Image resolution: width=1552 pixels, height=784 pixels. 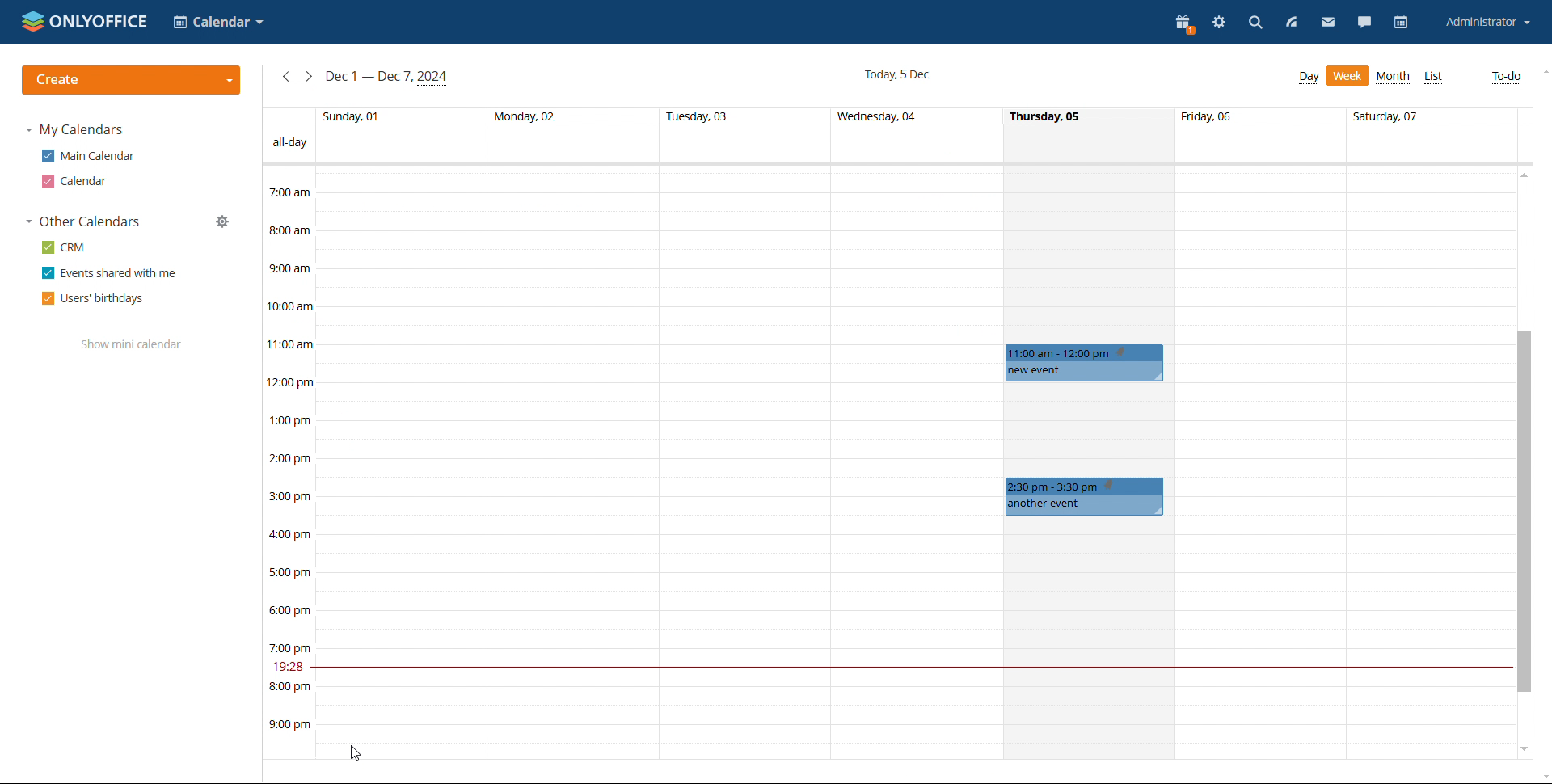 What do you see at coordinates (289, 648) in the screenshot?
I see `7:00 pm` at bounding box center [289, 648].